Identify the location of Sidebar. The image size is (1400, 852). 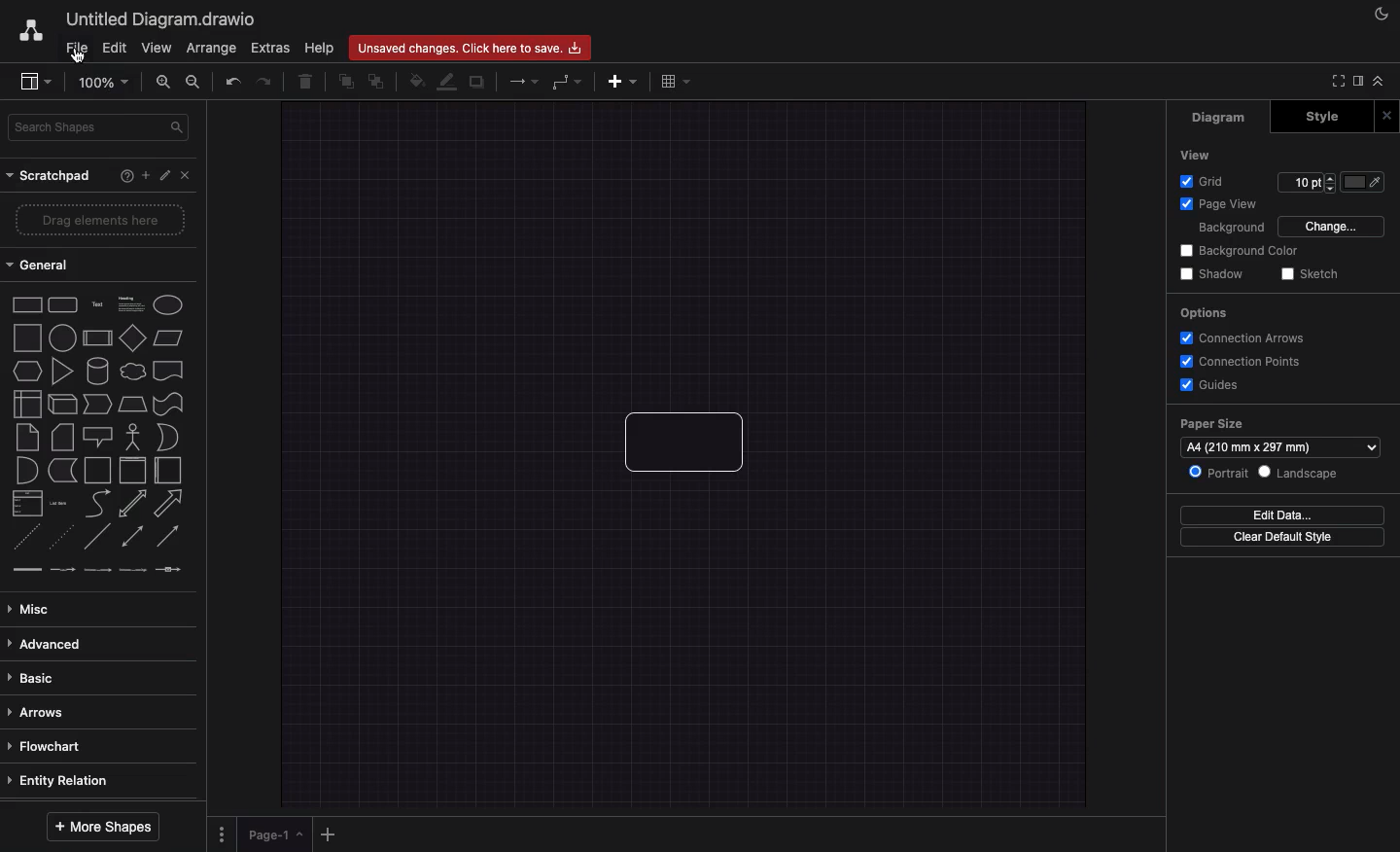
(1356, 83).